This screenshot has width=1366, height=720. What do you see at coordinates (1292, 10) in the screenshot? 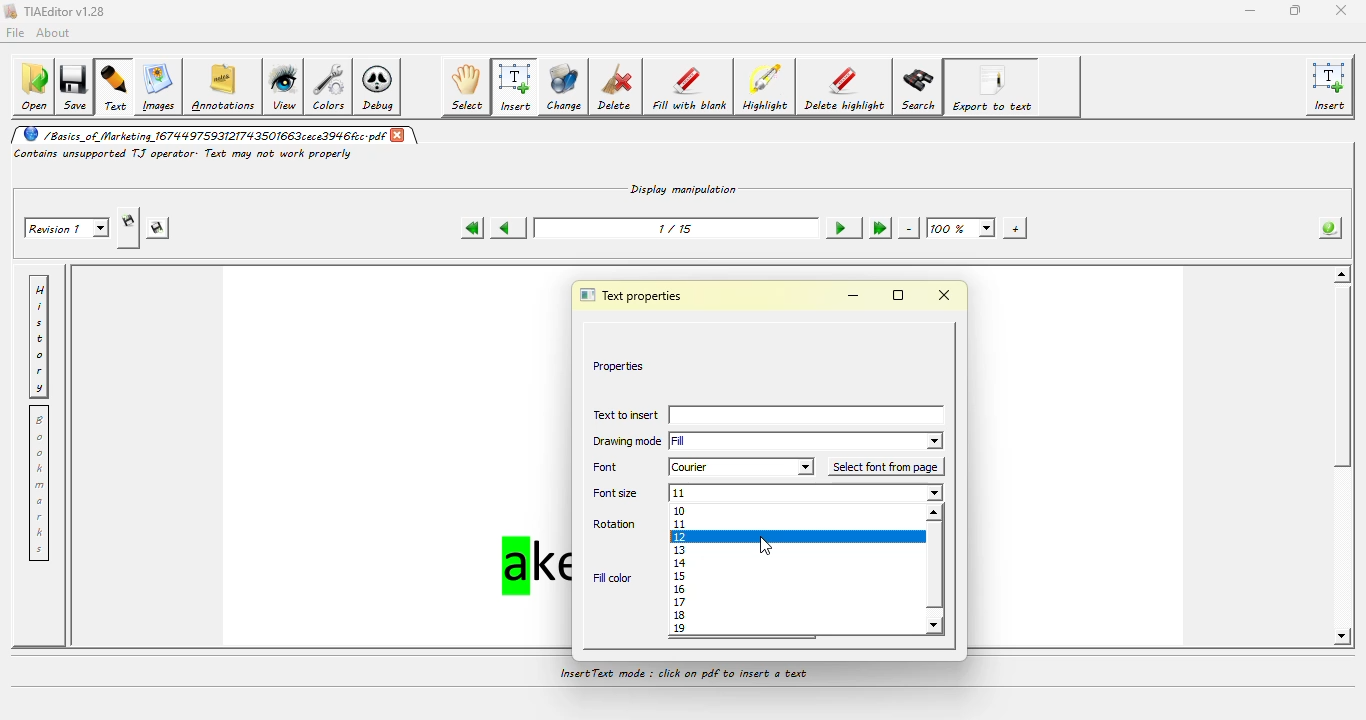
I see `maximize` at bounding box center [1292, 10].